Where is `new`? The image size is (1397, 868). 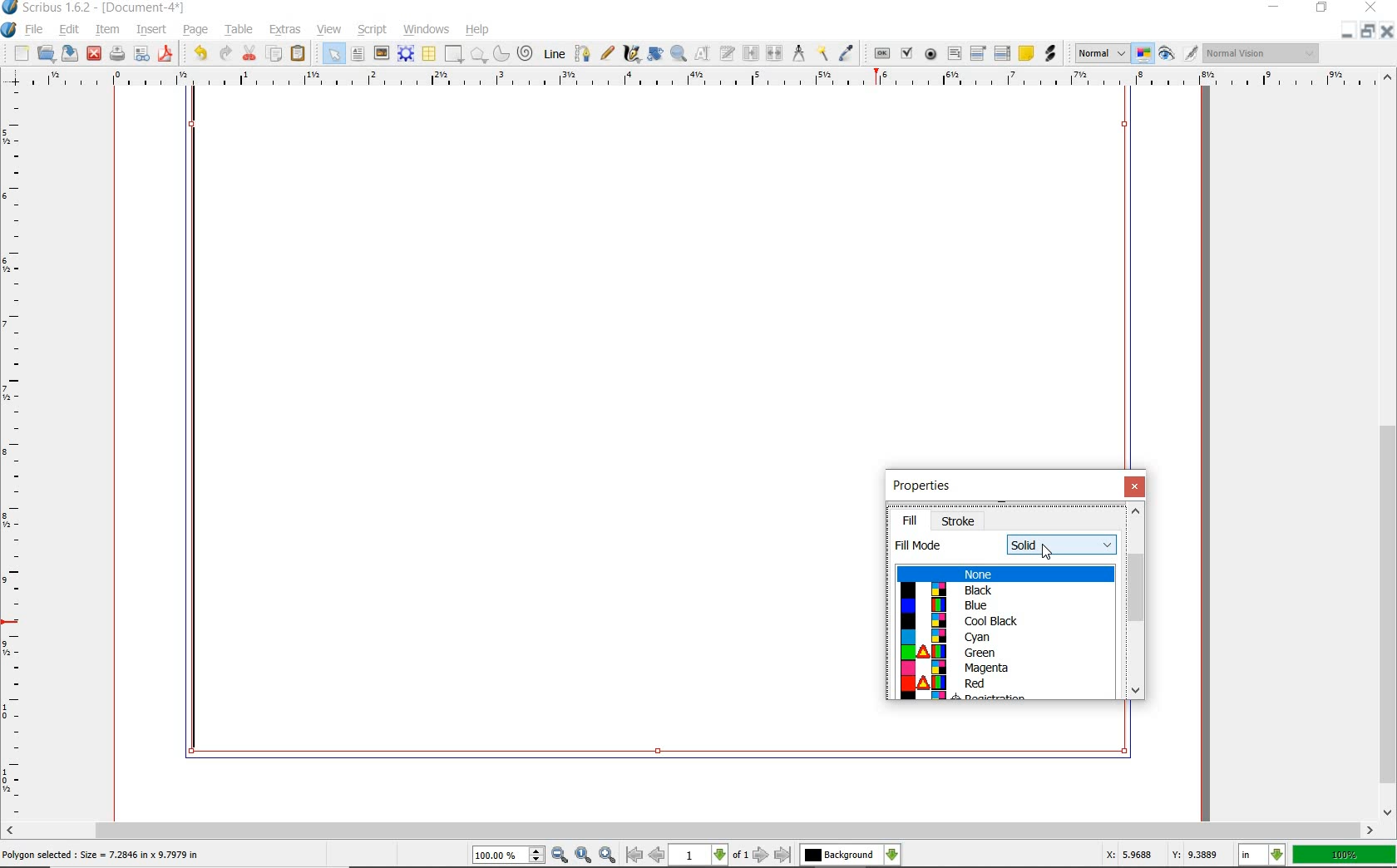 new is located at coordinates (16, 53).